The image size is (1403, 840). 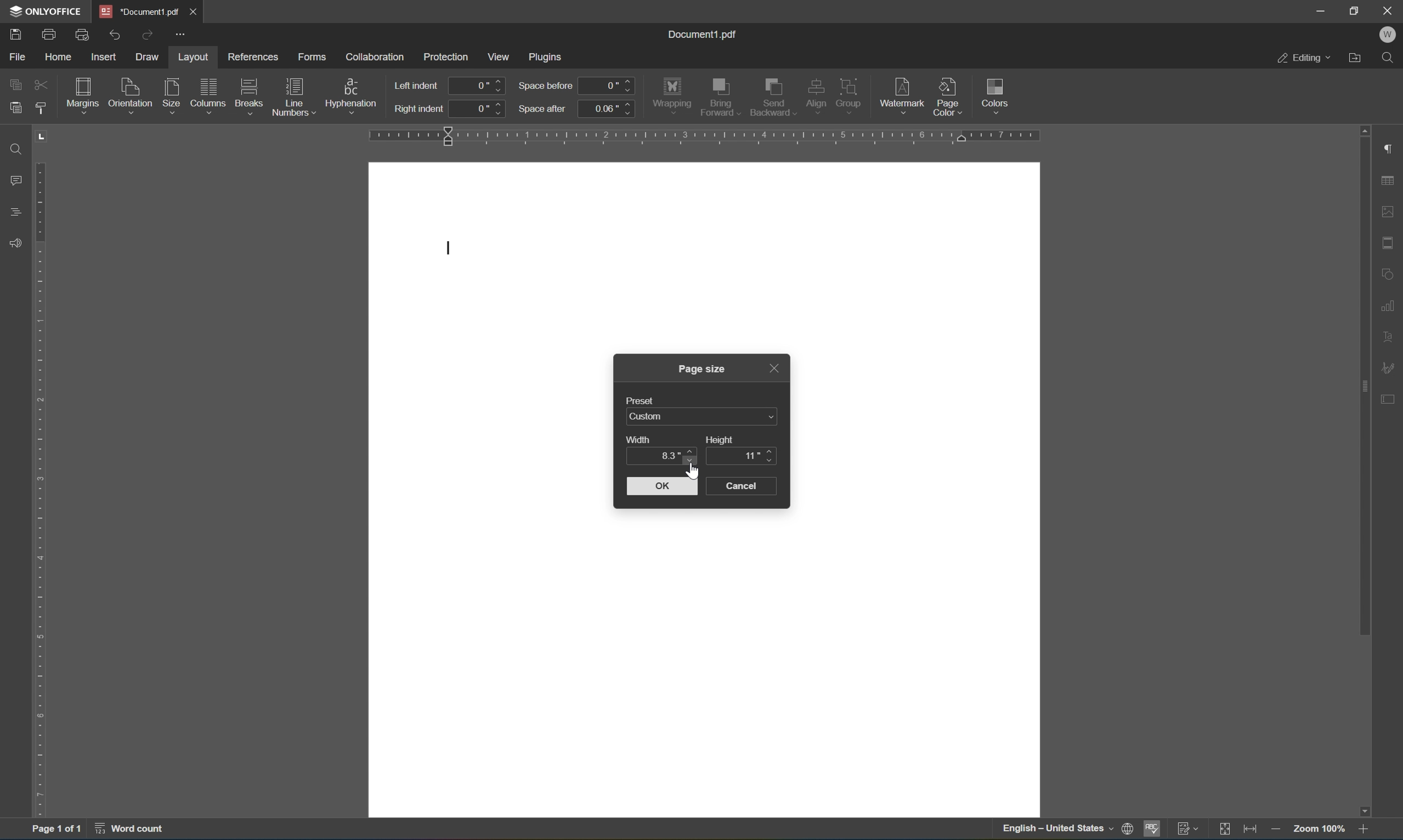 What do you see at coordinates (548, 55) in the screenshot?
I see `plugins` at bounding box center [548, 55].